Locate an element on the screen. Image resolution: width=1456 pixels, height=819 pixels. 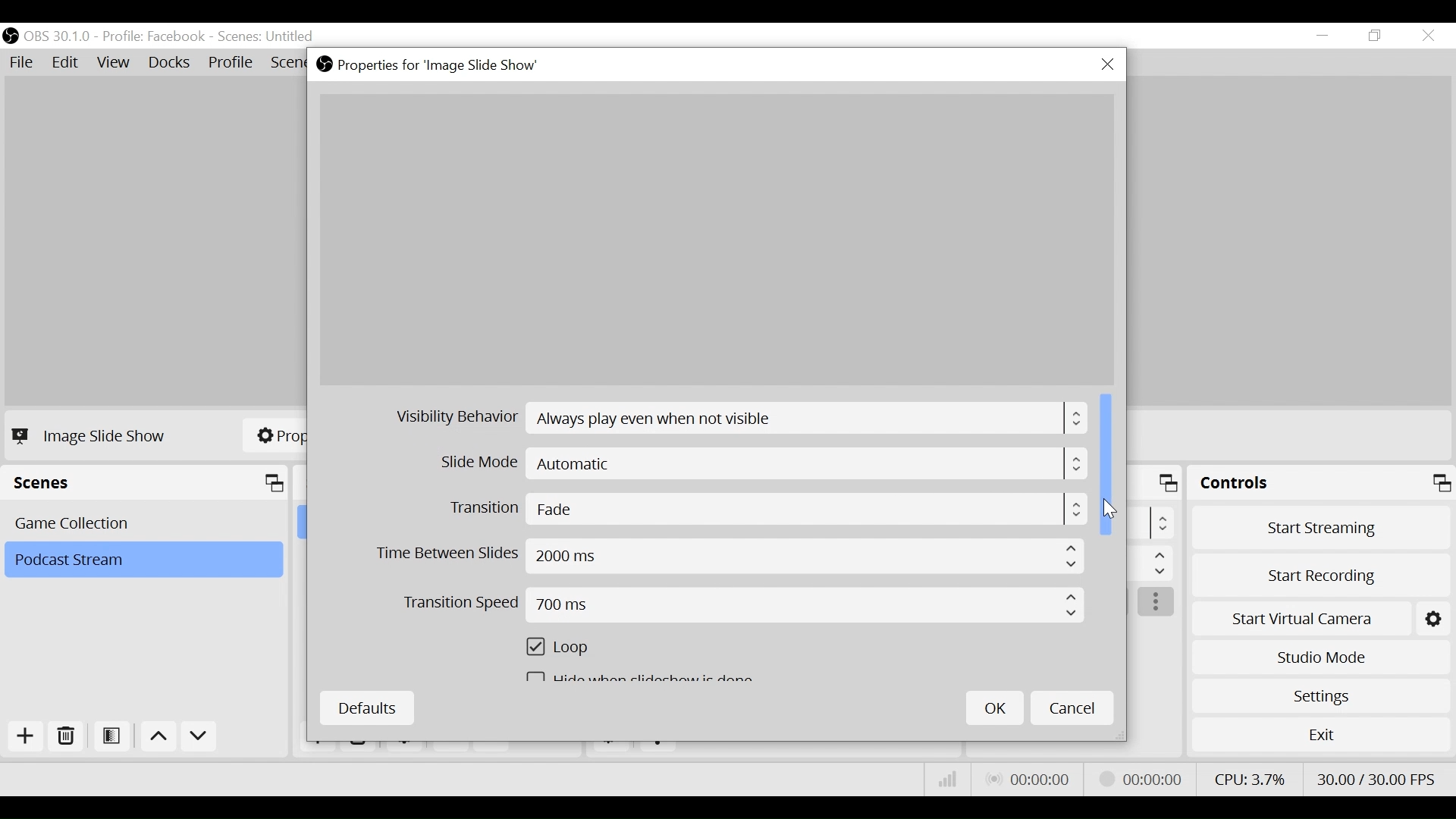
Frame Per Second is located at coordinates (1376, 776).